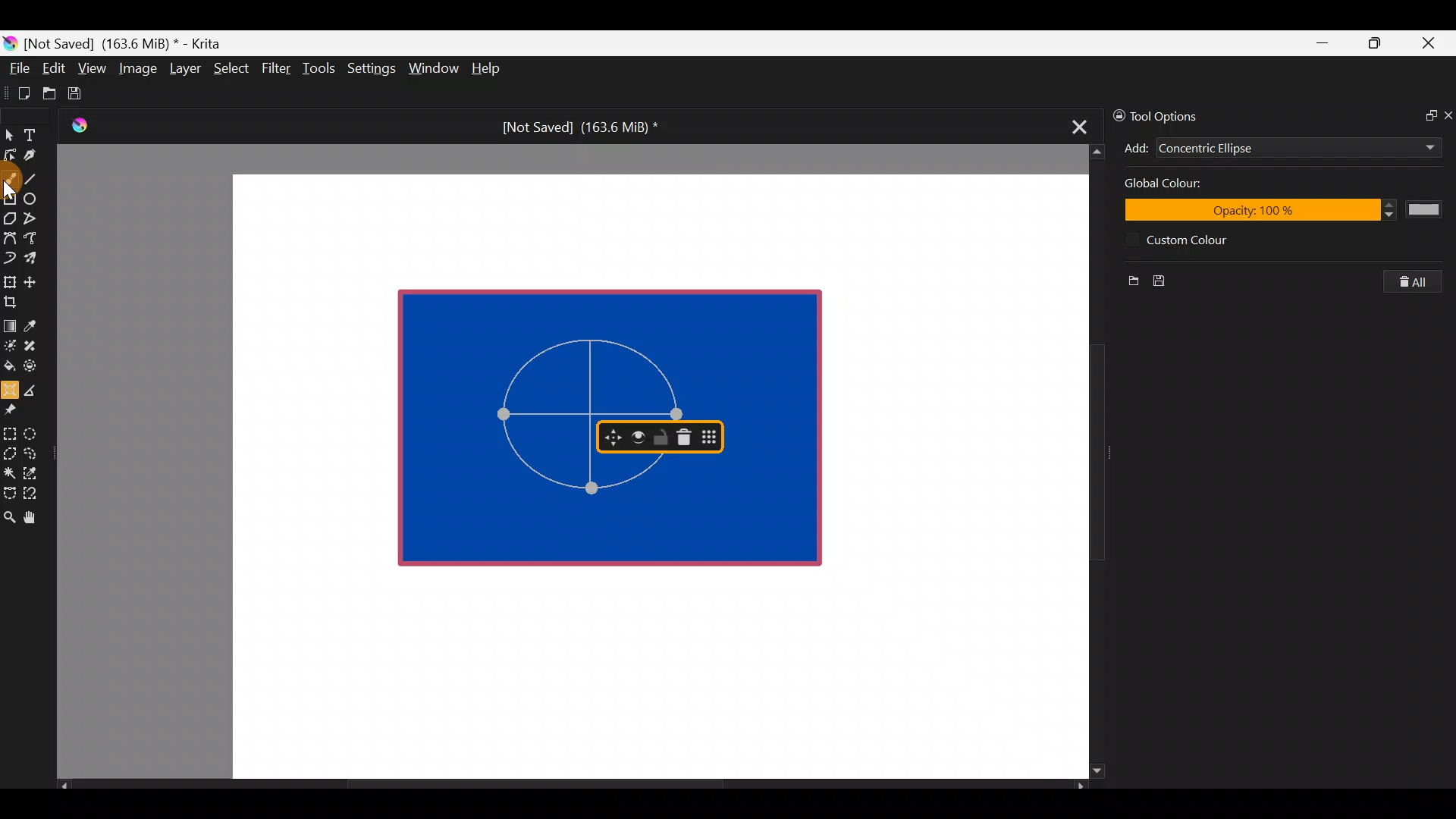  Describe the element at coordinates (36, 257) in the screenshot. I see `Multibrush tool` at that location.